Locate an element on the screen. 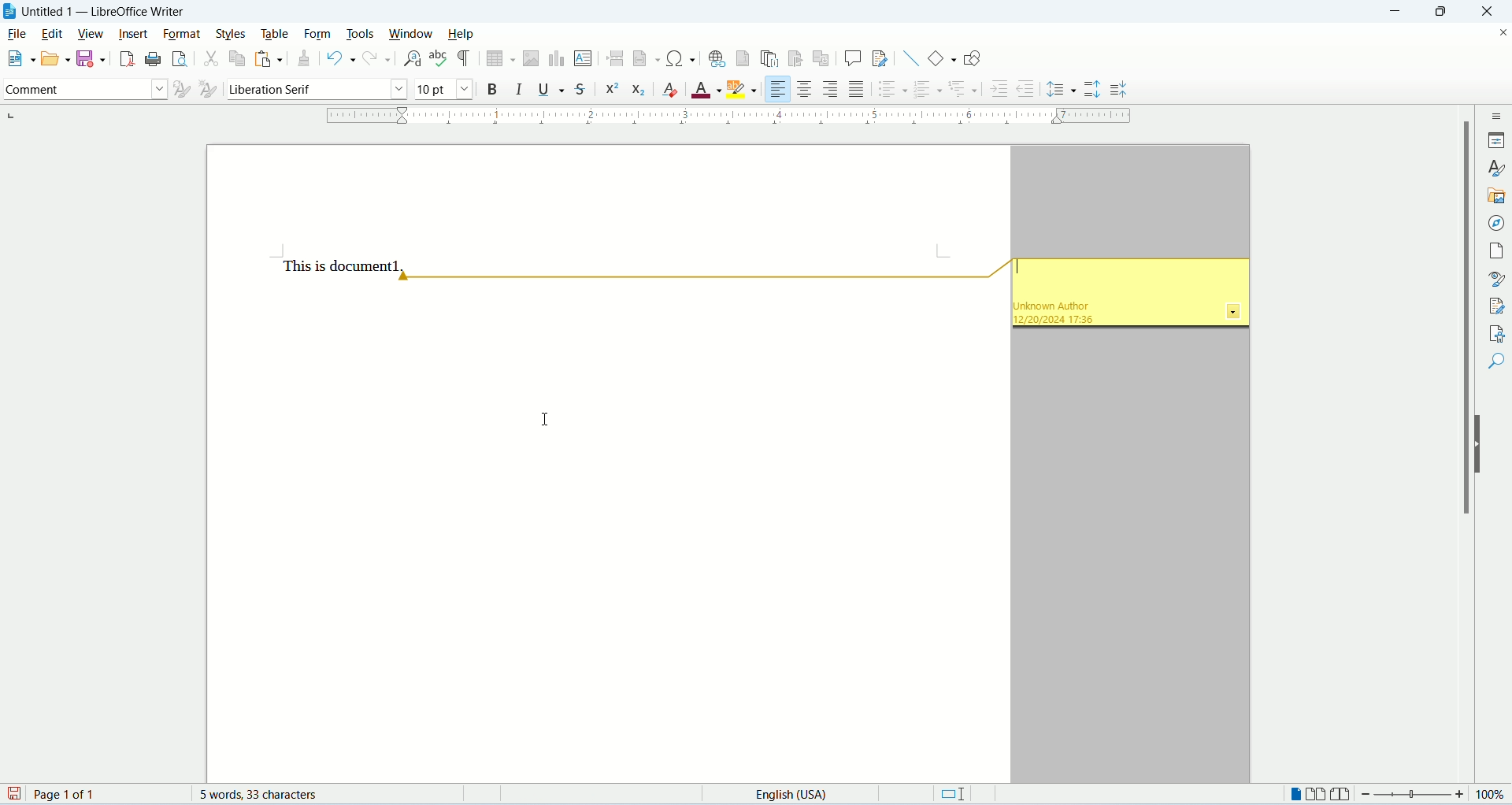 This screenshot has height=805, width=1512. increase paragraph spacing is located at coordinates (1093, 90).